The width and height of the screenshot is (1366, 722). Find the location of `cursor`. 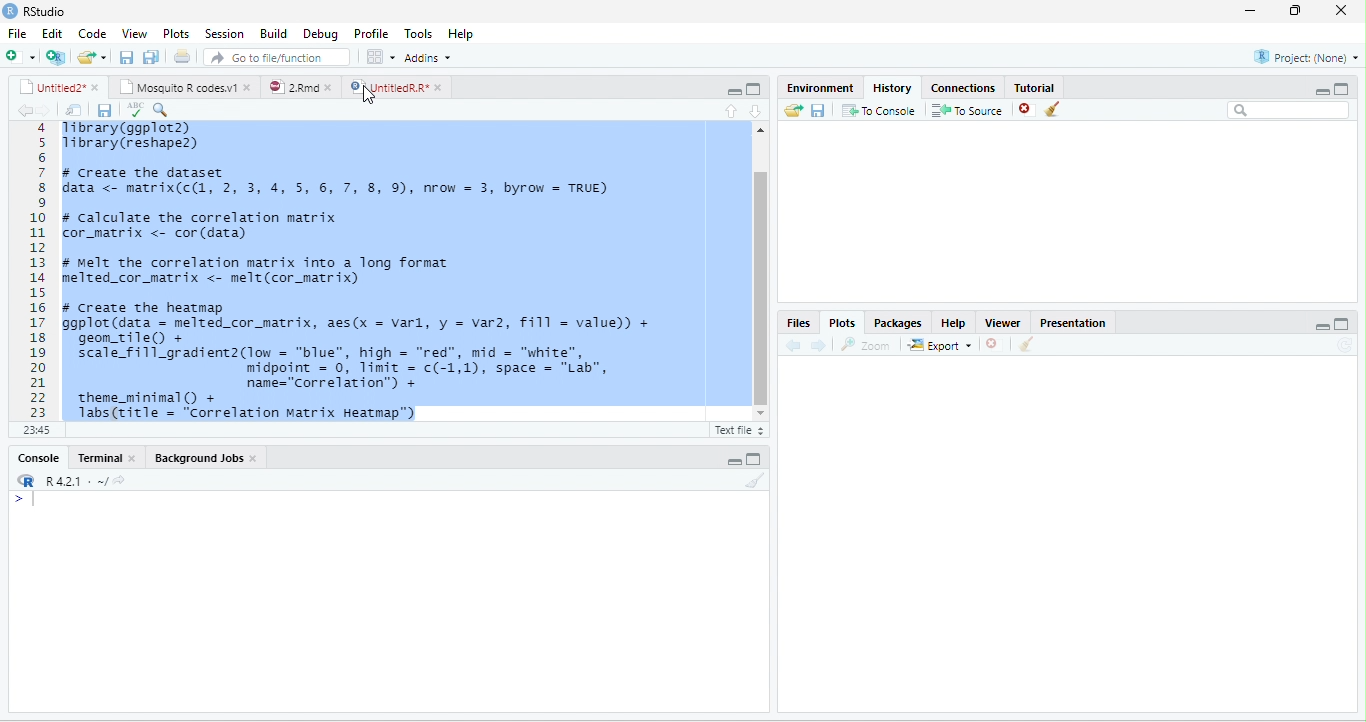

cursor is located at coordinates (377, 94).